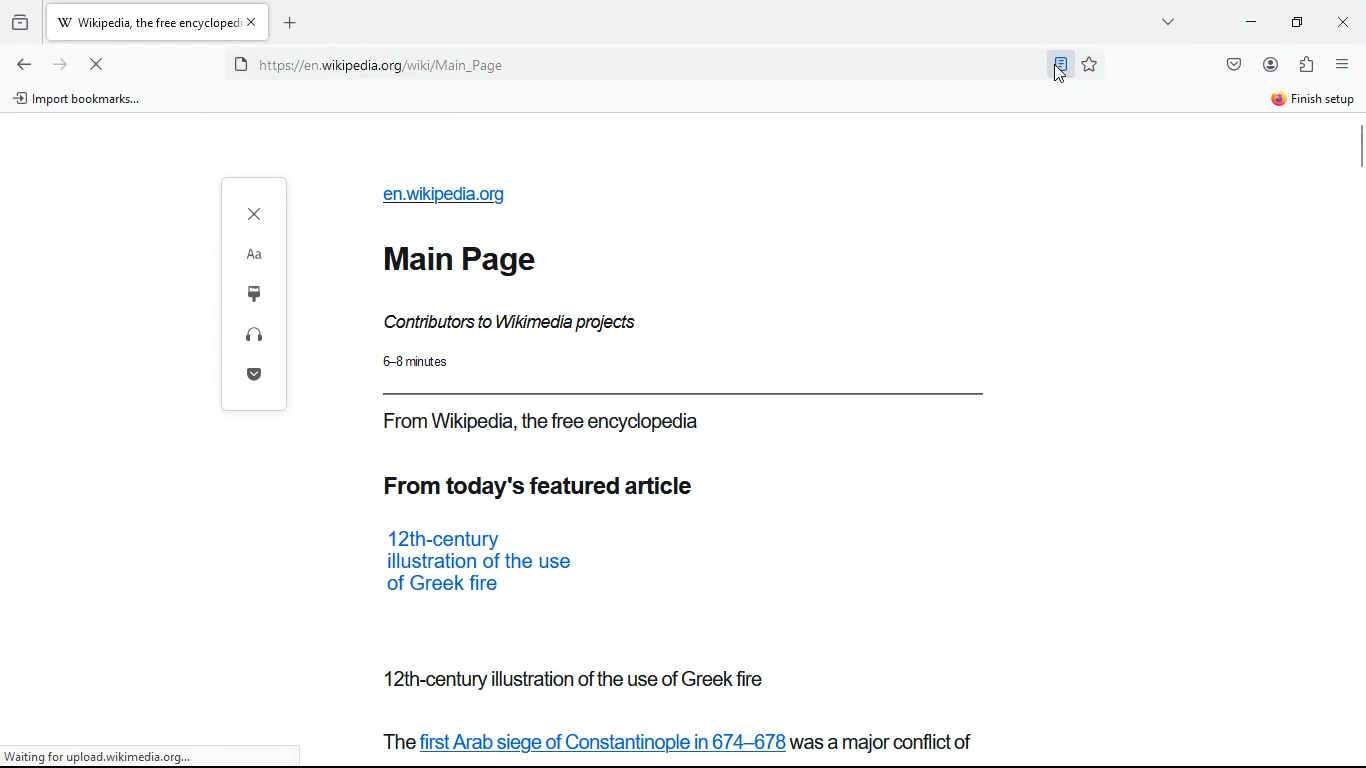  What do you see at coordinates (506, 568) in the screenshot?
I see `from today featured article` at bounding box center [506, 568].